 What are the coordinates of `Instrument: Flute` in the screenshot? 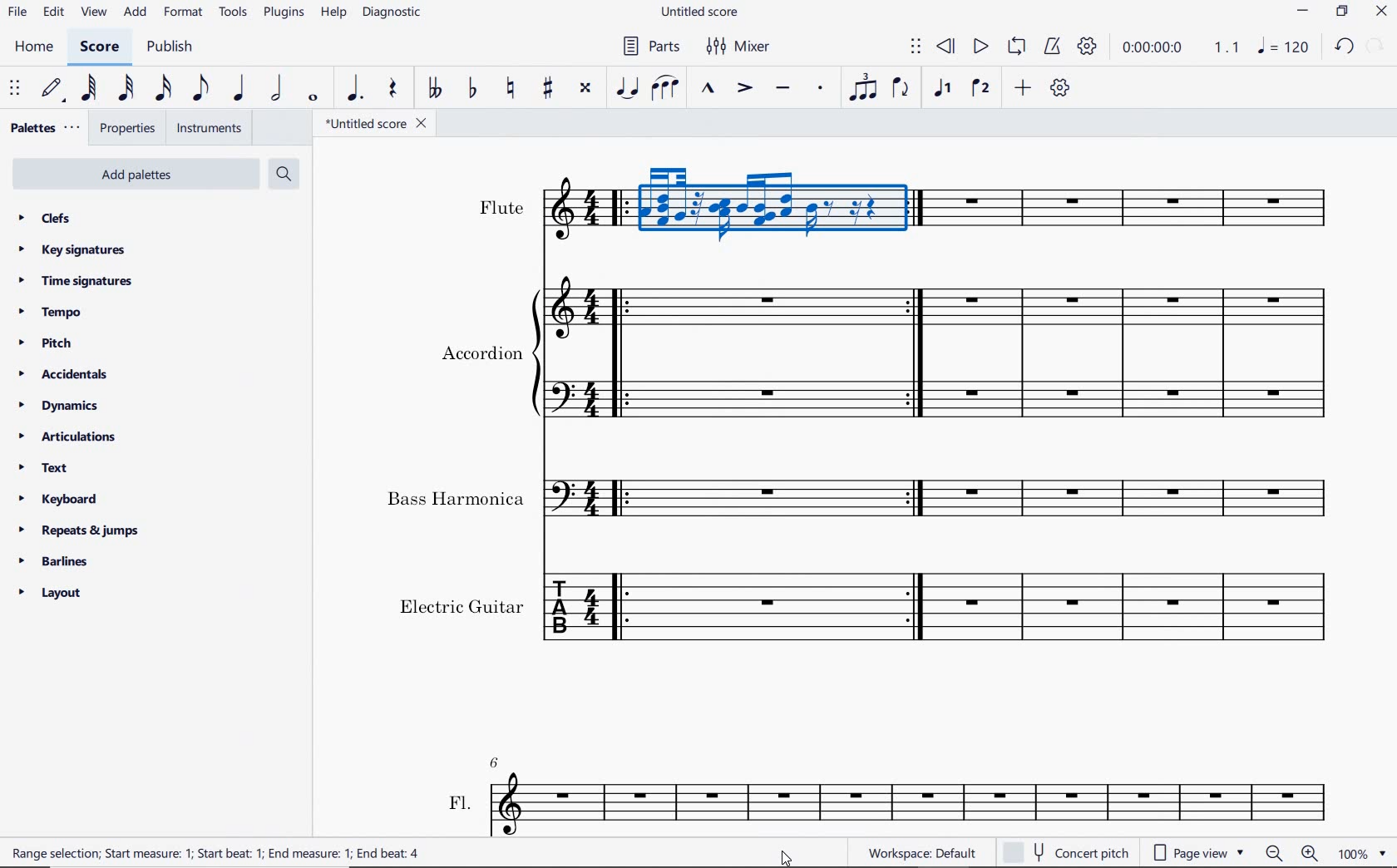 It's located at (905, 205).